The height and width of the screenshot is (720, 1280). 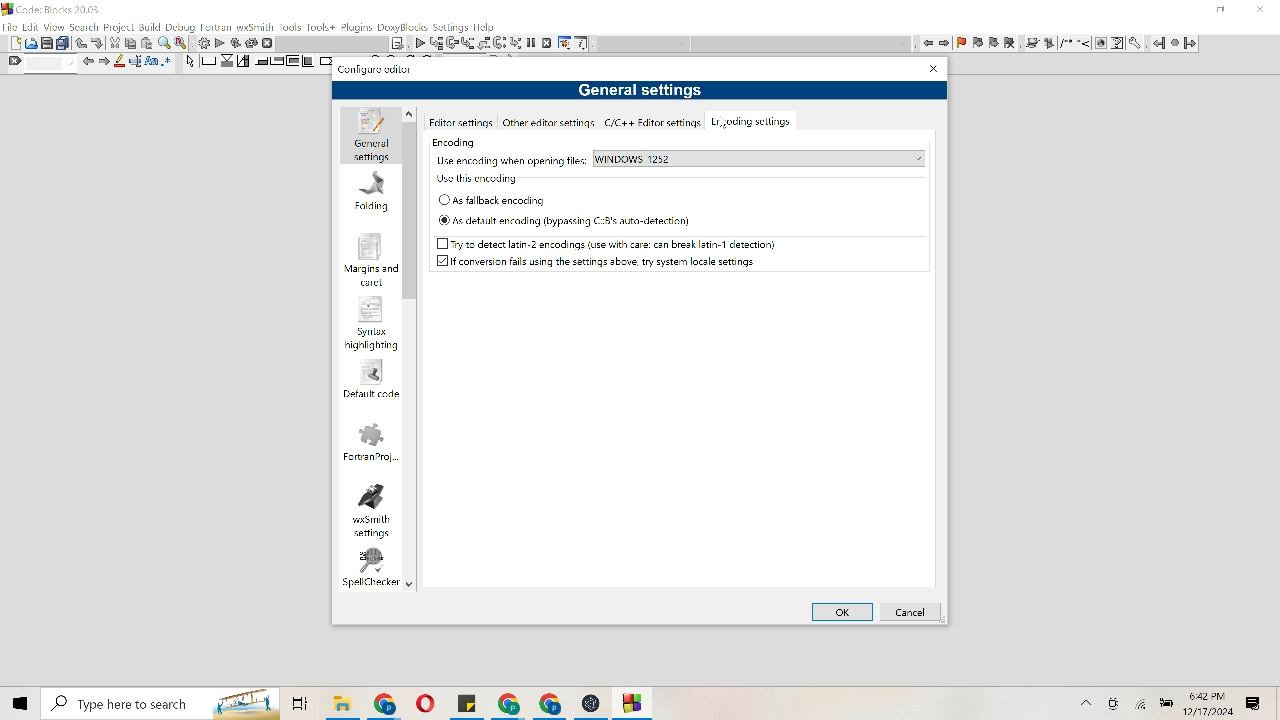 I want to click on Go Back, so click(x=1157, y=43).